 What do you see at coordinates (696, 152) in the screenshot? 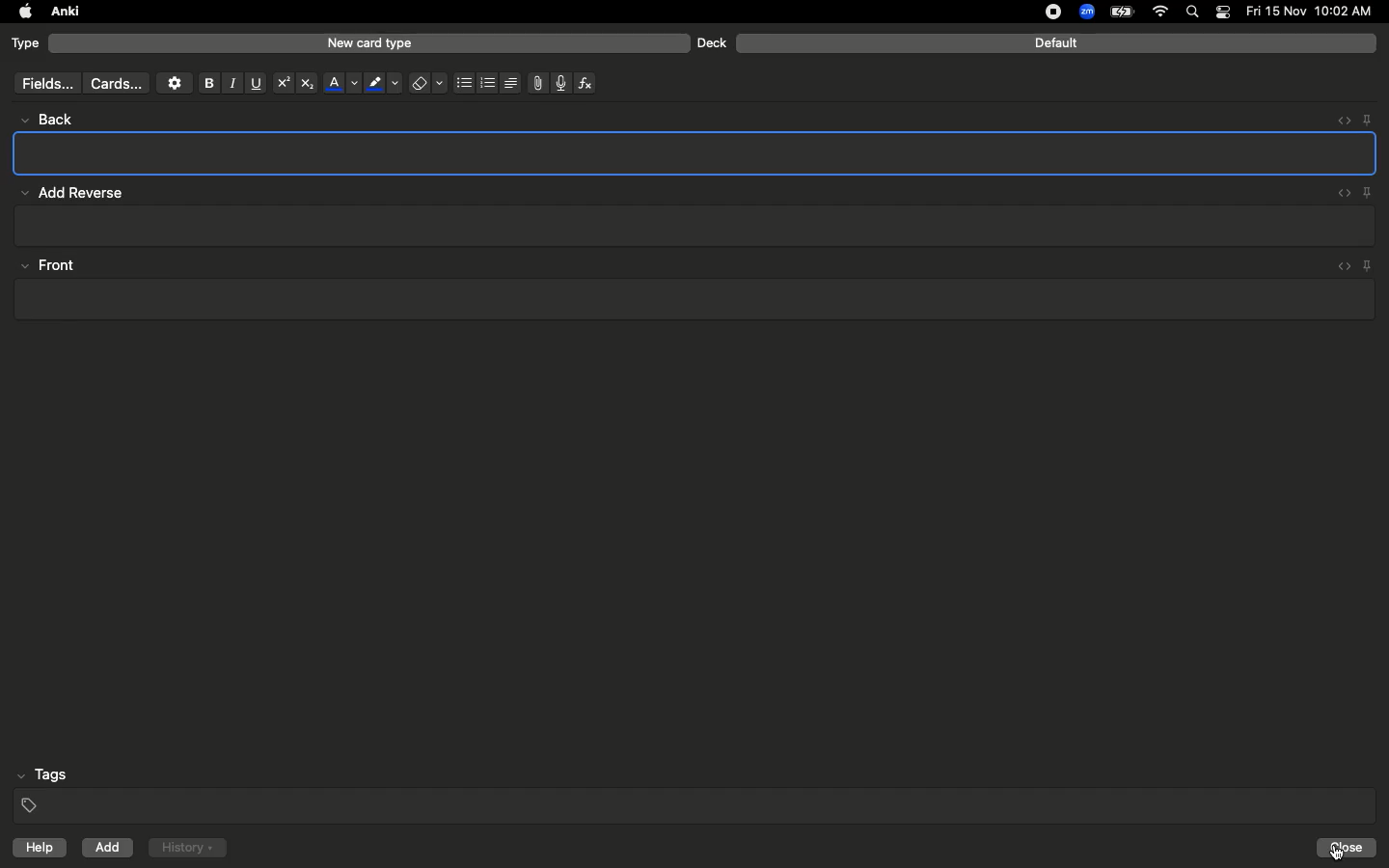
I see `Textbox` at bounding box center [696, 152].